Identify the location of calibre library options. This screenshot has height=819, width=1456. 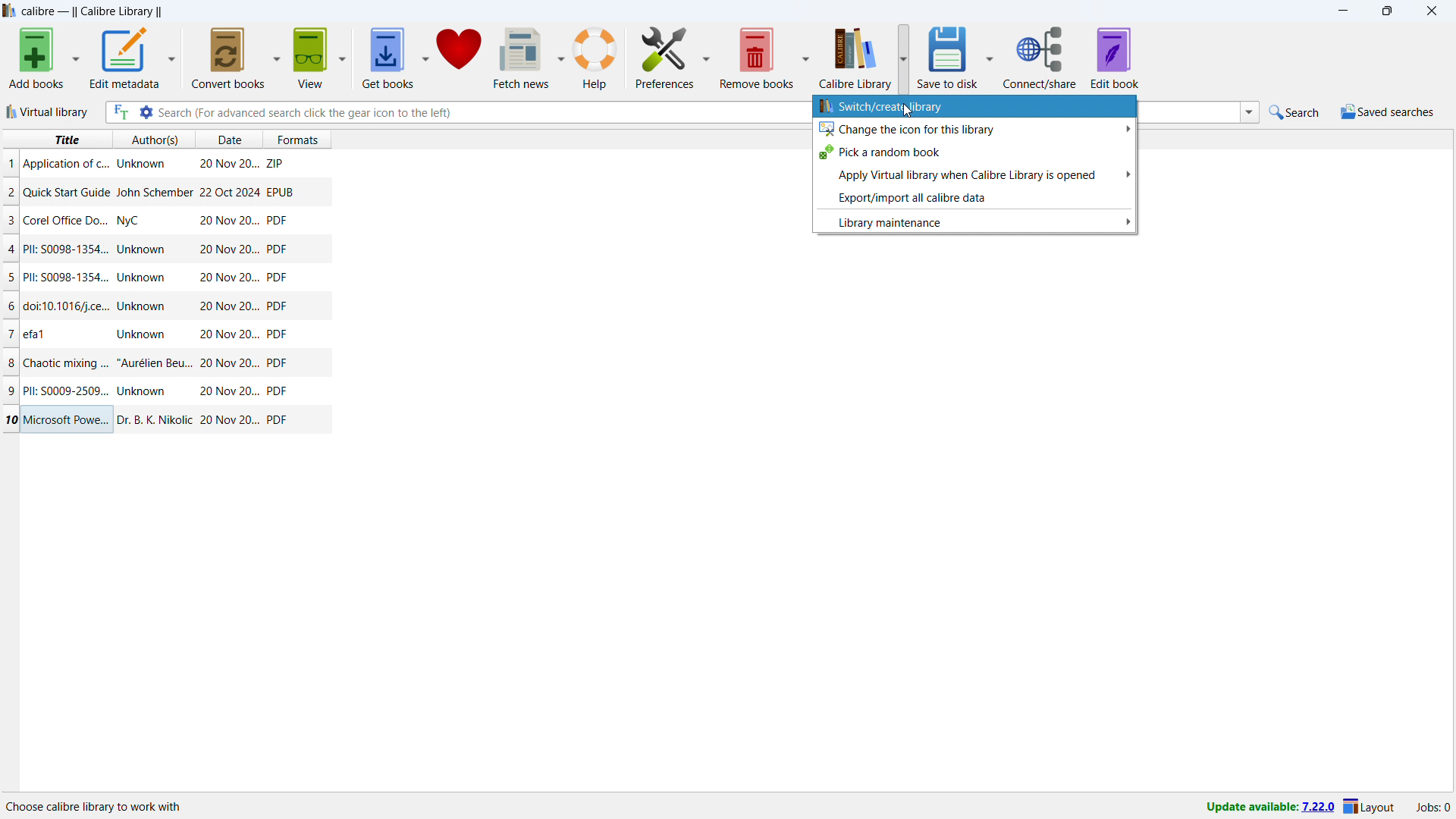
(904, 59).